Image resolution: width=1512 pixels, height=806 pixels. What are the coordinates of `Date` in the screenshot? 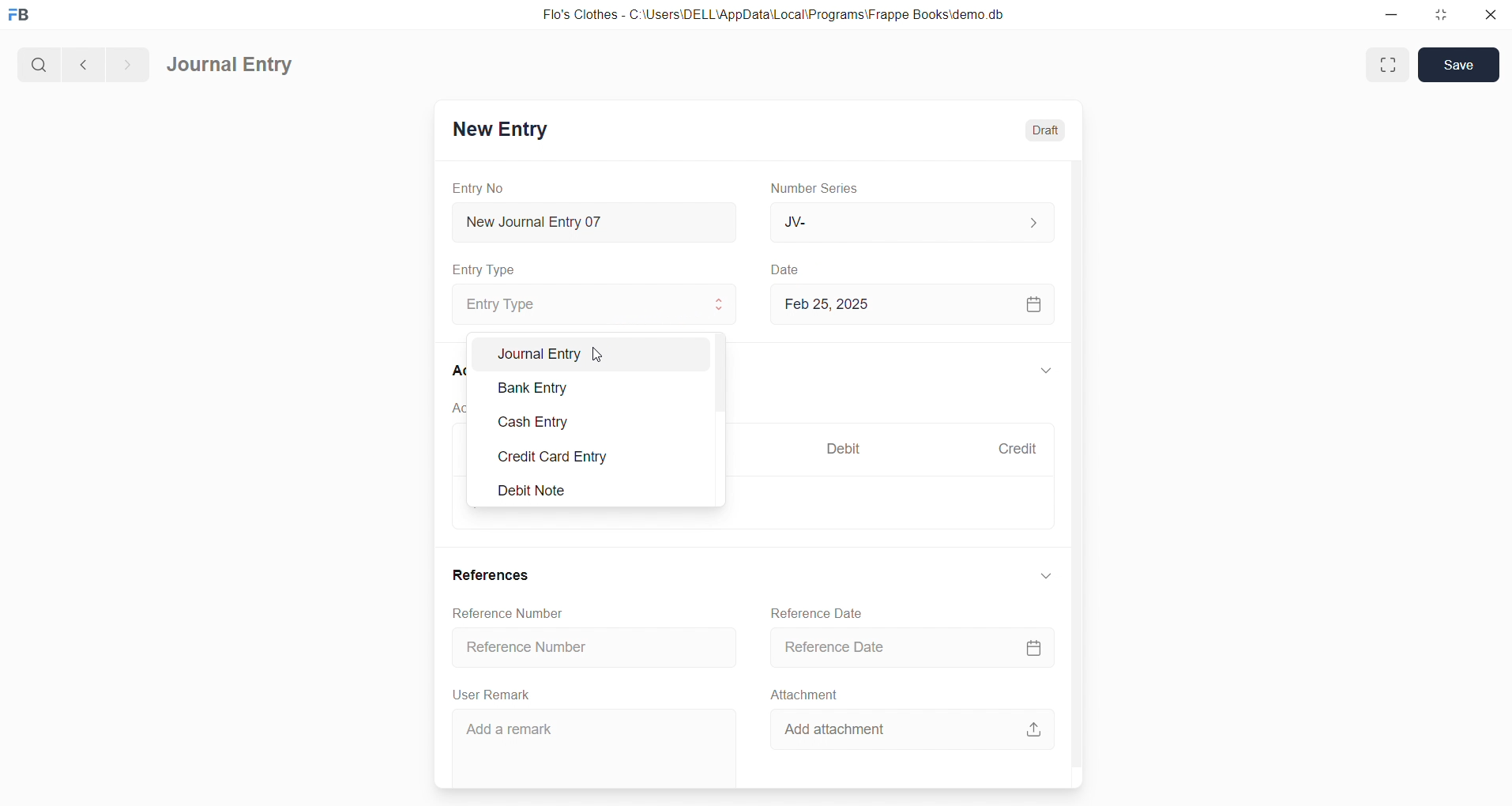 It's located at (785, 269).